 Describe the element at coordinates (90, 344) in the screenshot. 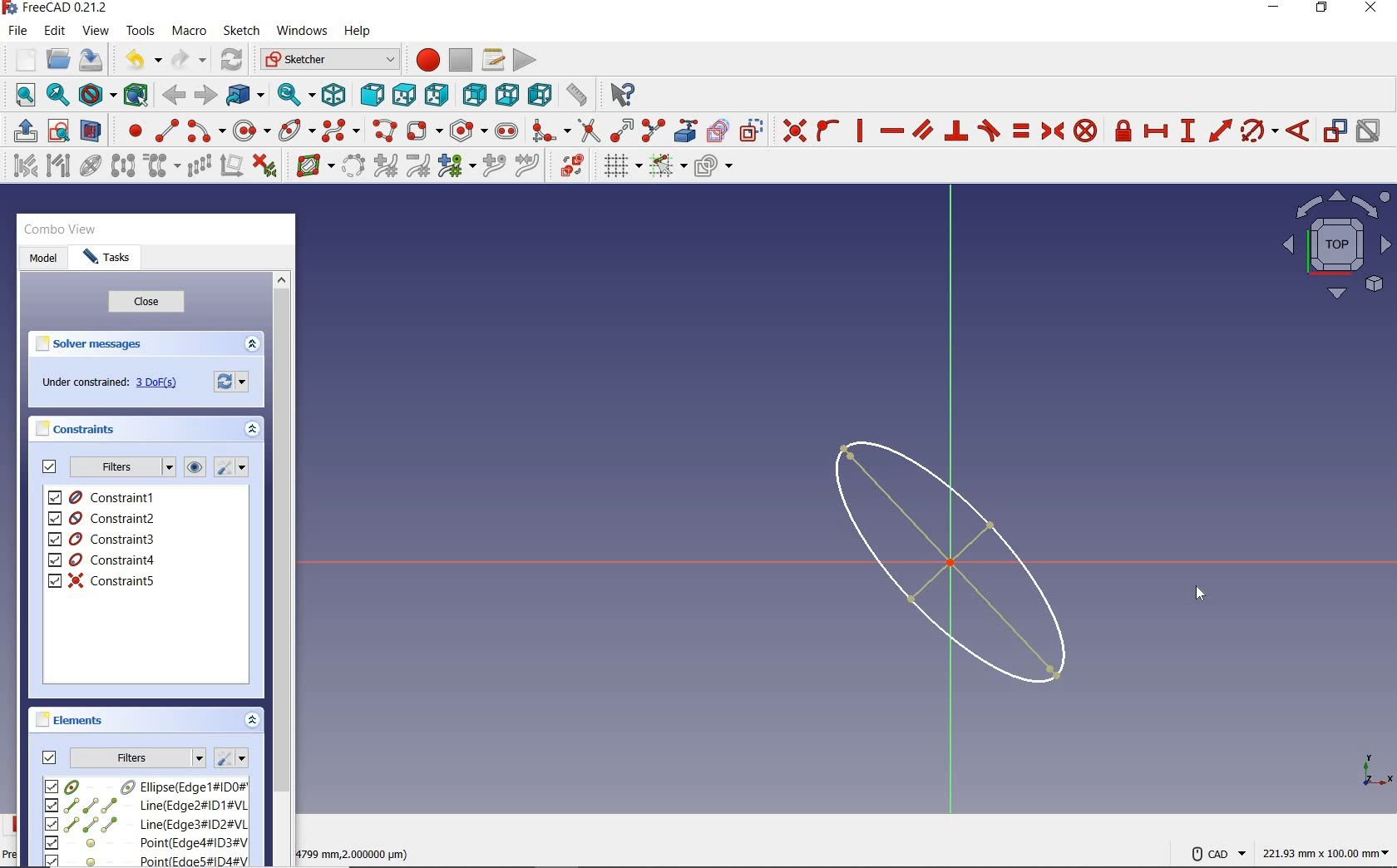

I see `solver messages` at that location.